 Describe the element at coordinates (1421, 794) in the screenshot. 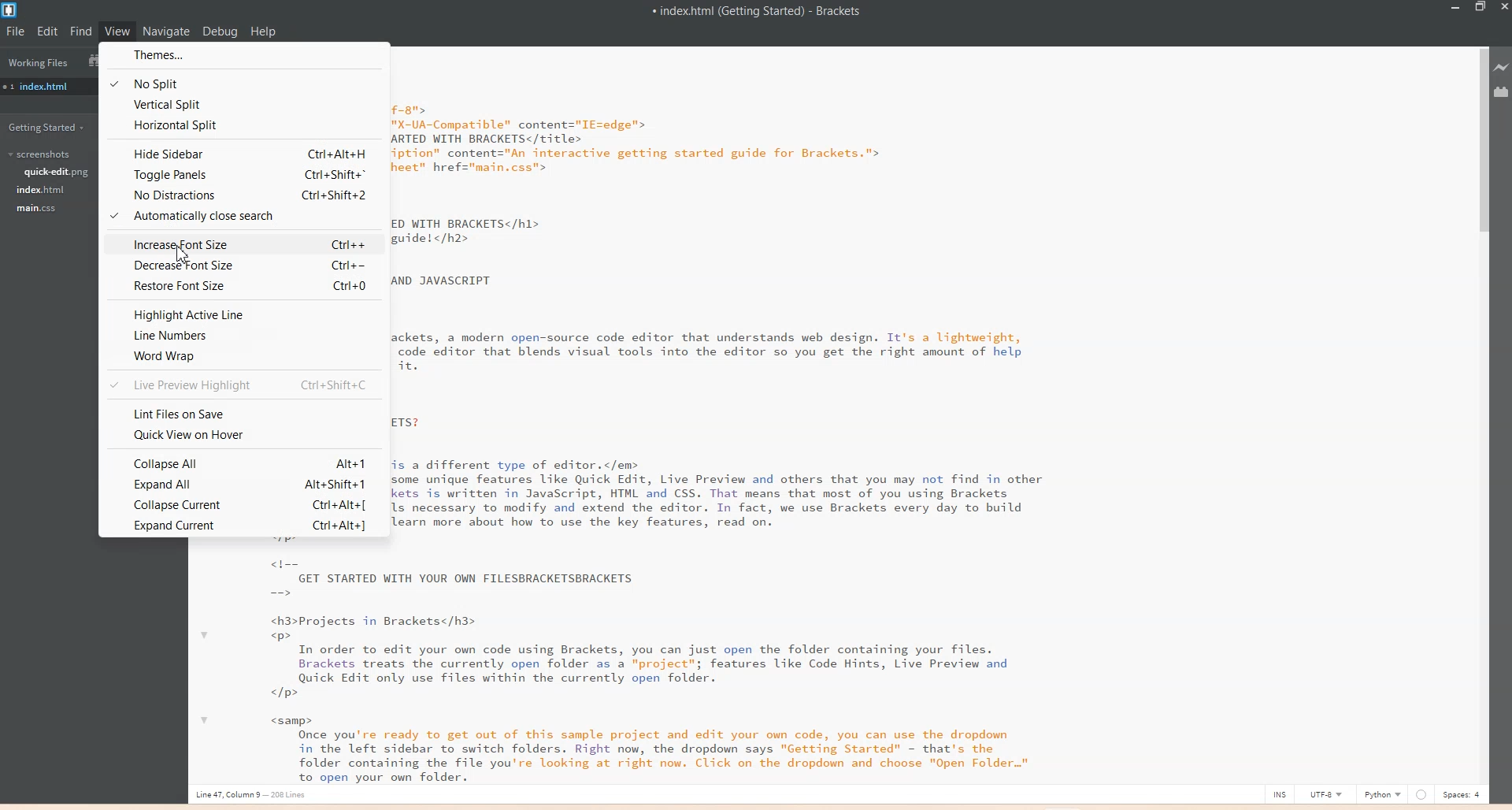

I see `` at that location.